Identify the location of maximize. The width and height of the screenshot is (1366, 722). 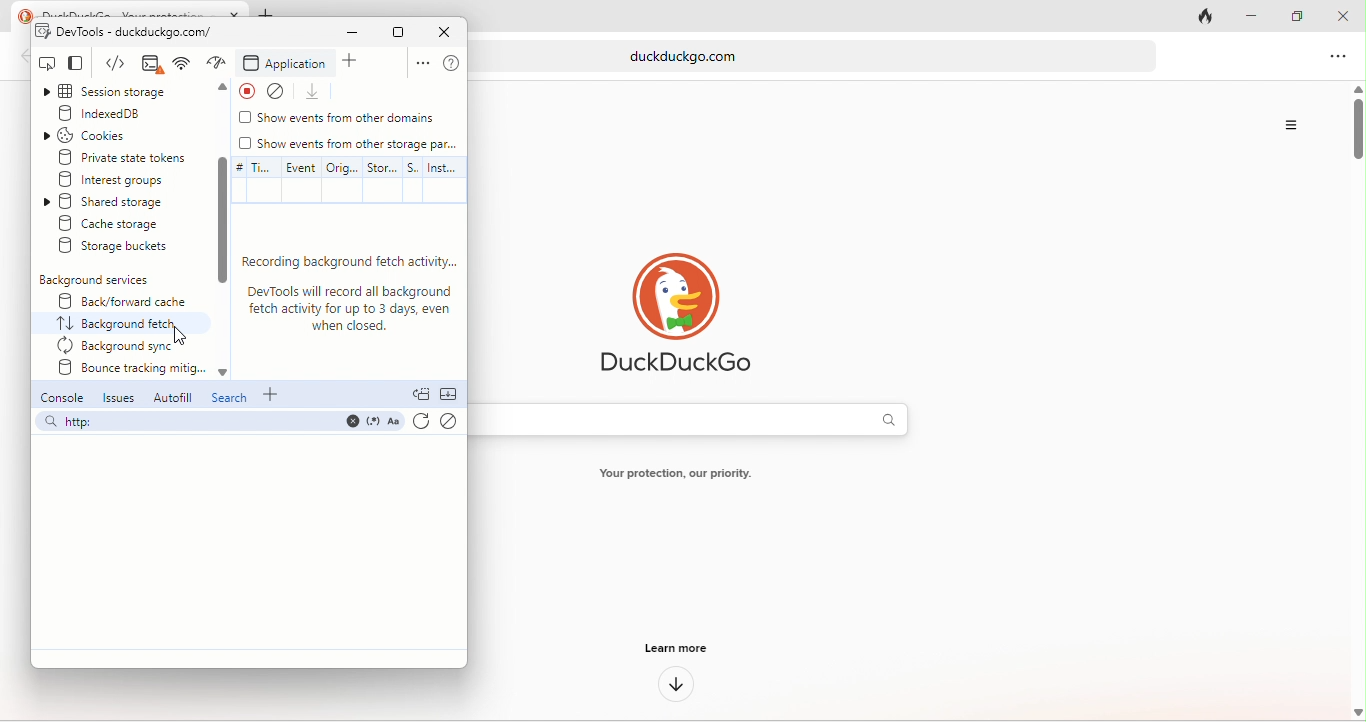
(397, 32).